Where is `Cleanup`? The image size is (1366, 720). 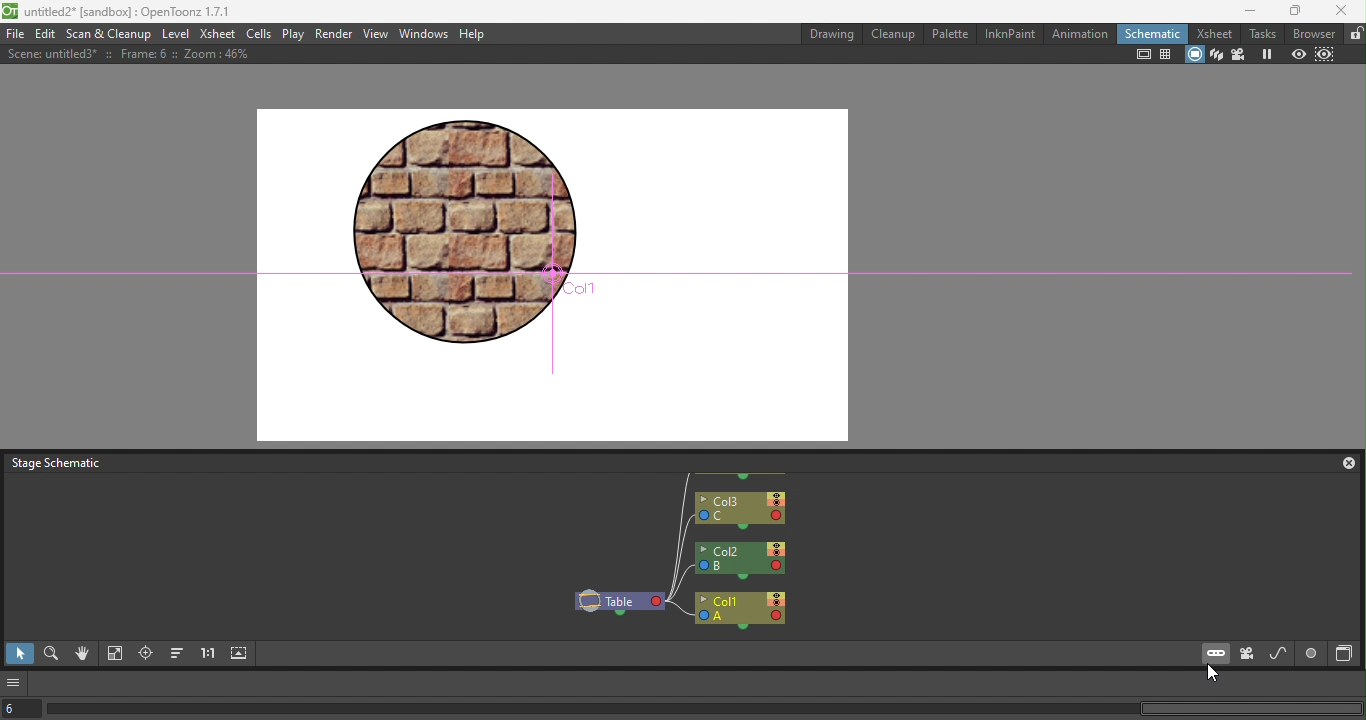
Cleanup is located at coordinates (897, 33).